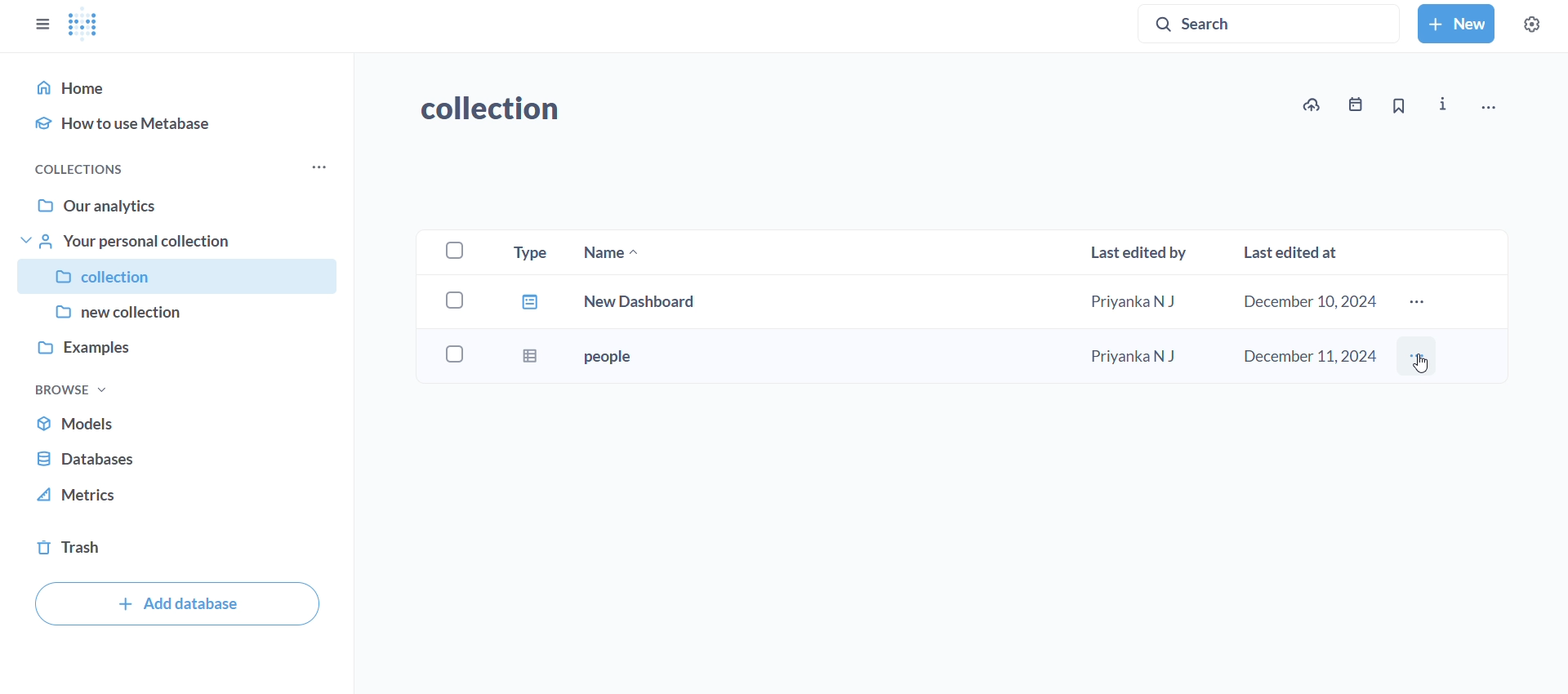 This screenshot has width=1568, height=694. What do you see at coordinates (84, 169) in the screenshot?
I see `collections` at bounding box center [84, 169].